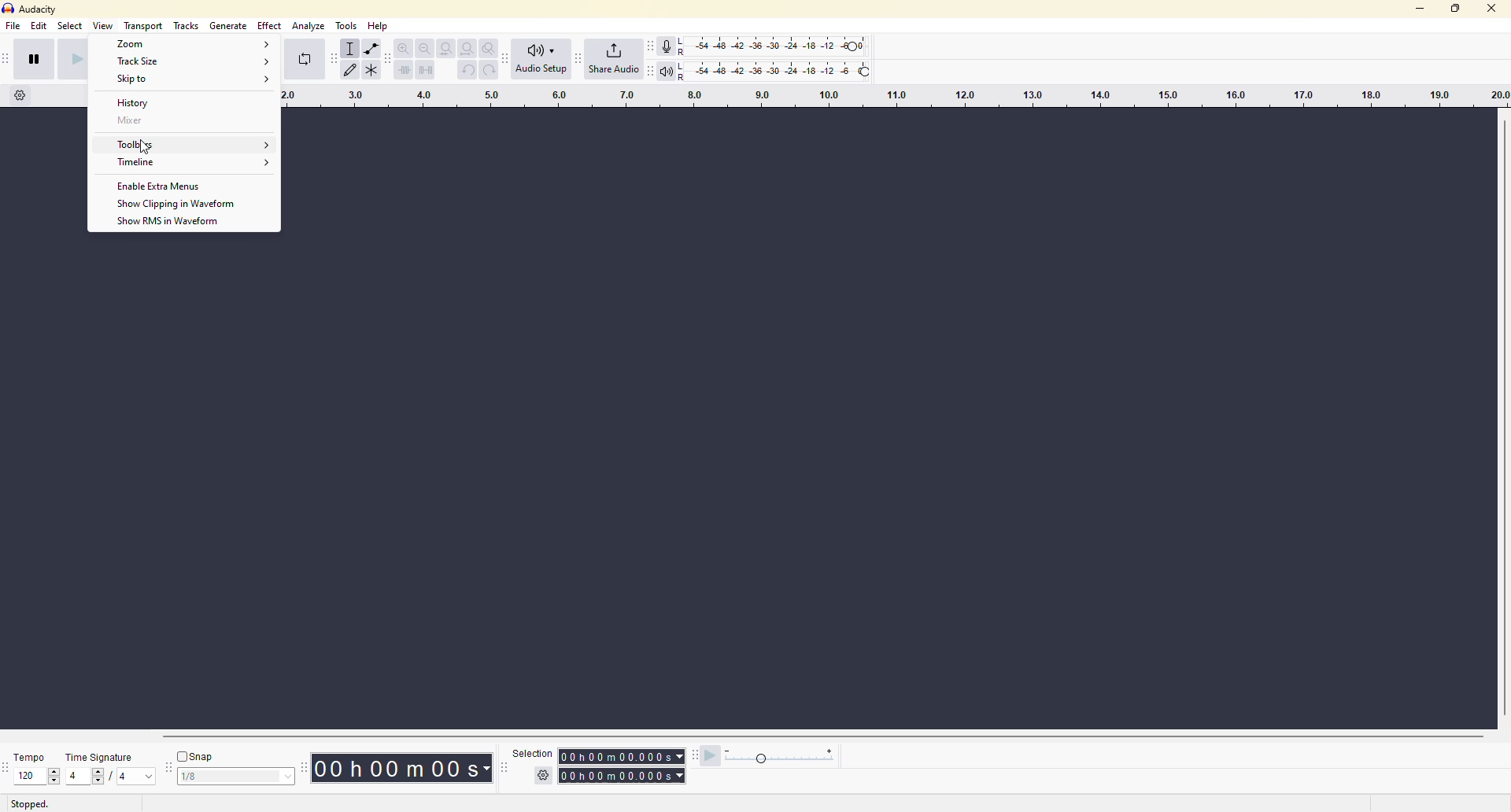 The height and width of the screenshot is (812, 1511). Describe the element at coordinates (373, 69) in the screenshot. I see `multi tool` at that location.